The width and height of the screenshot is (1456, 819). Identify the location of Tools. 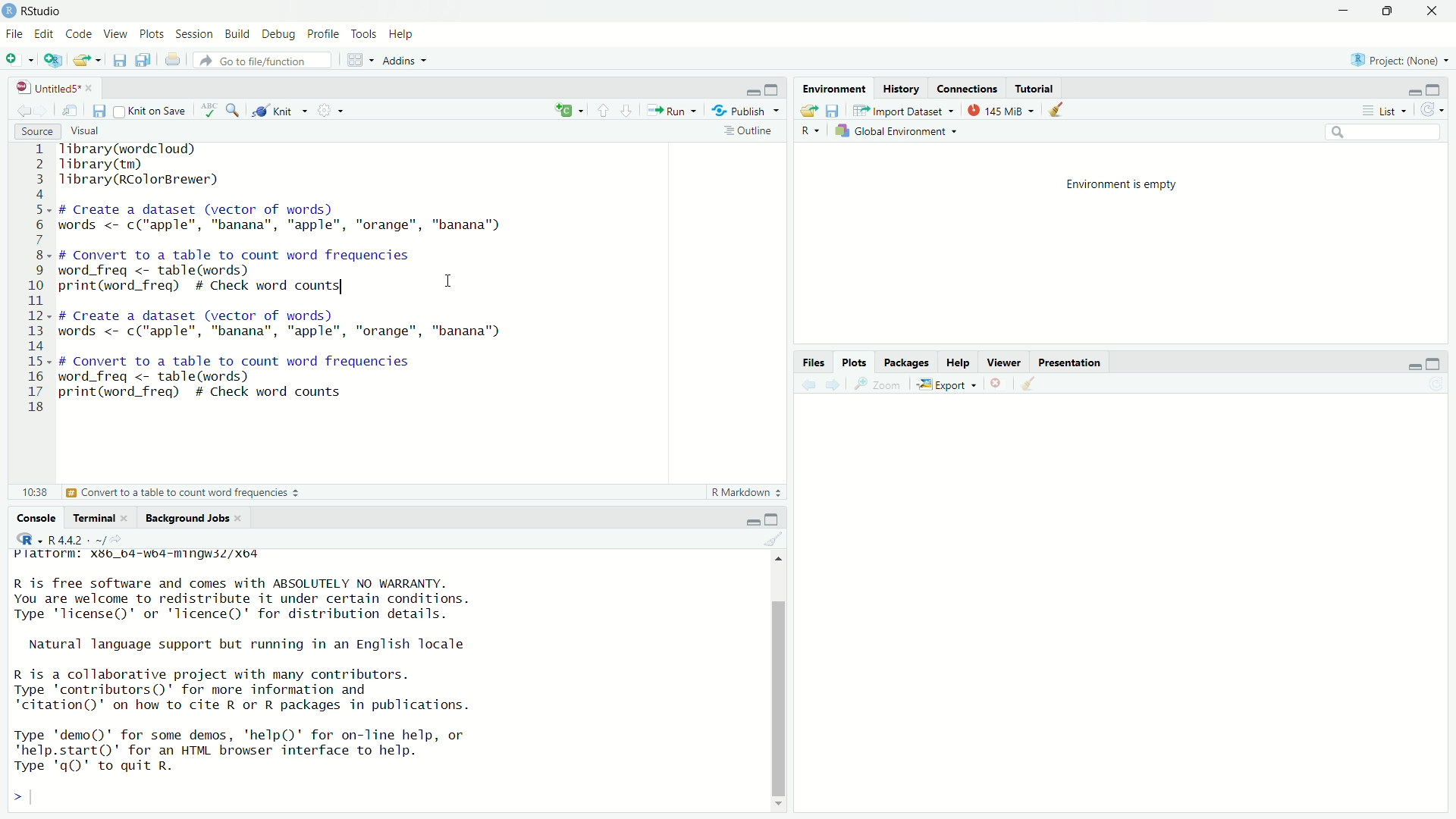
(363, 33).